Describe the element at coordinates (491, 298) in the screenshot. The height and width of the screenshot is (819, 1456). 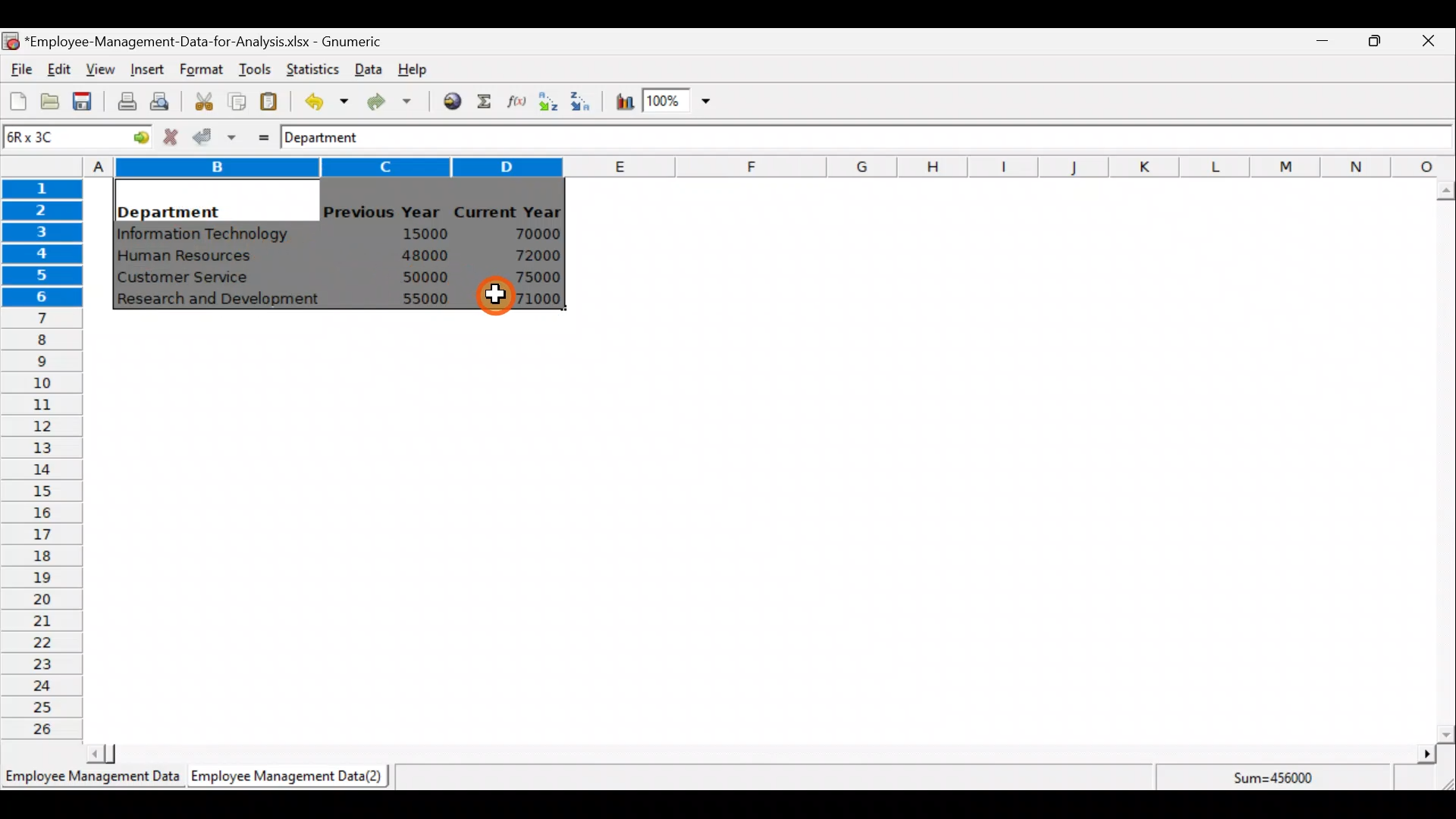
I see `Cursor hovering on cell D6` at that location.